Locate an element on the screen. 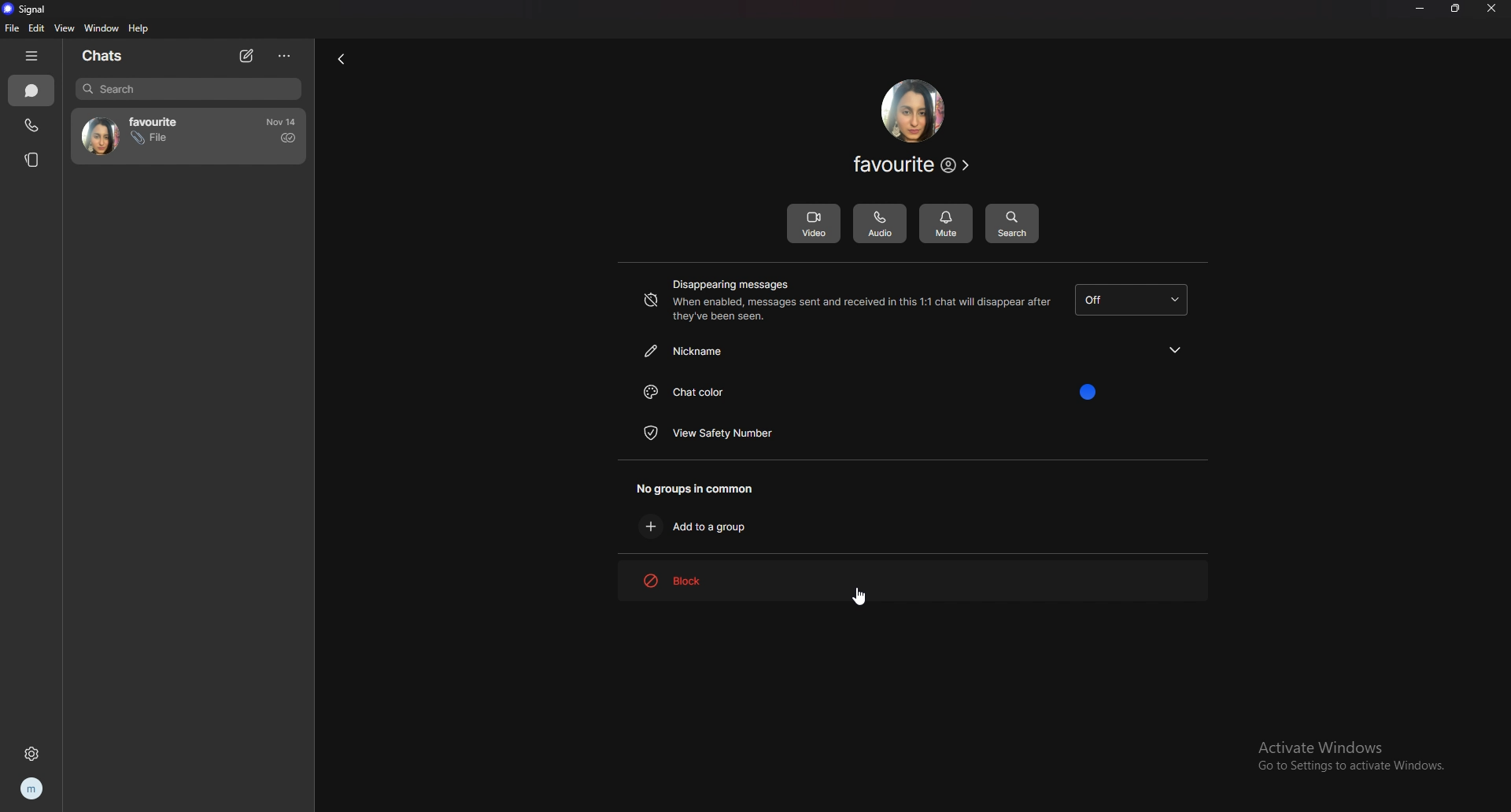  mute is located at coordinates (946, 223).